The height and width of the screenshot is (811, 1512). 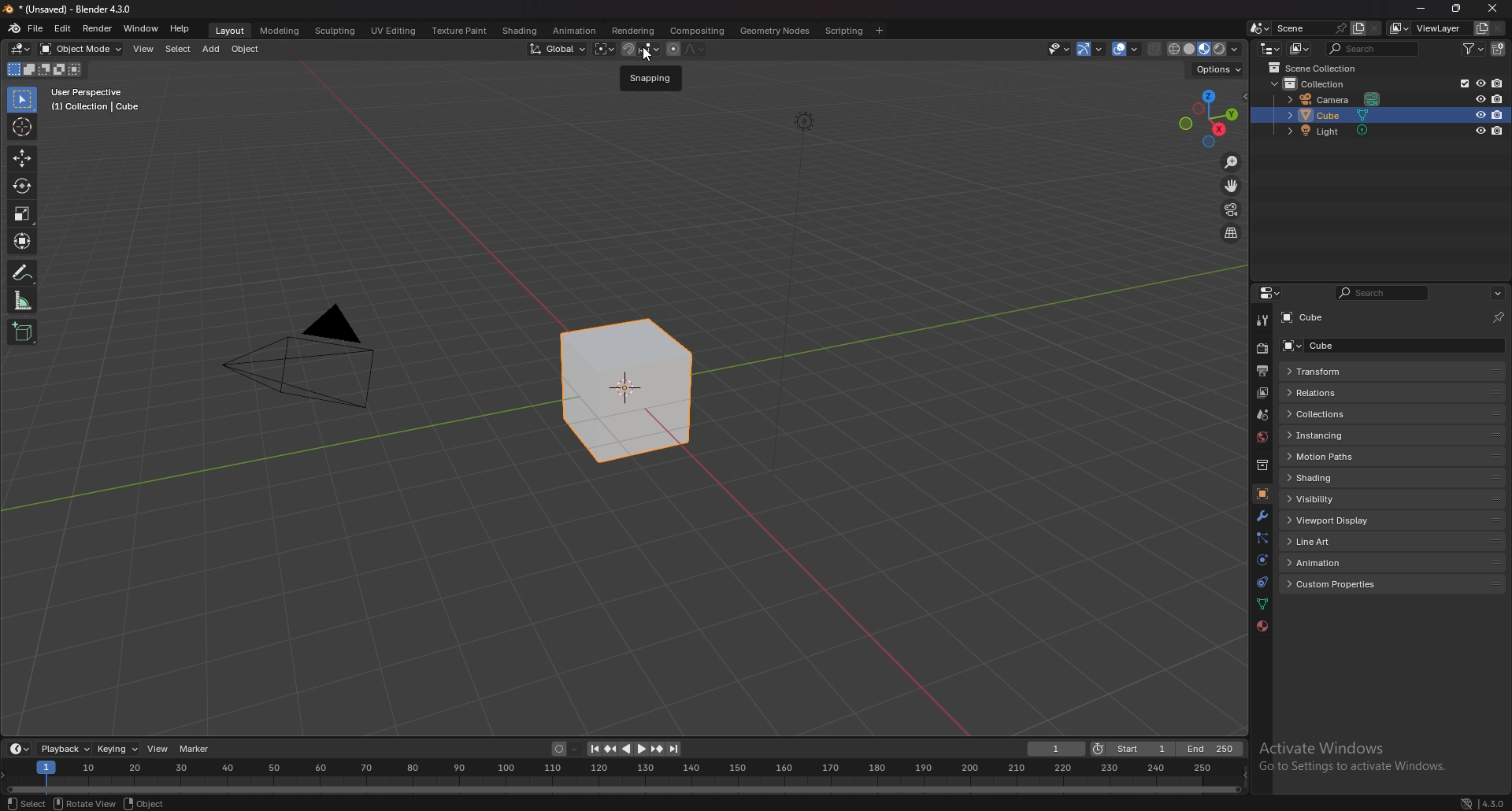 I want to click on rendering, so click(x=634, y=31).